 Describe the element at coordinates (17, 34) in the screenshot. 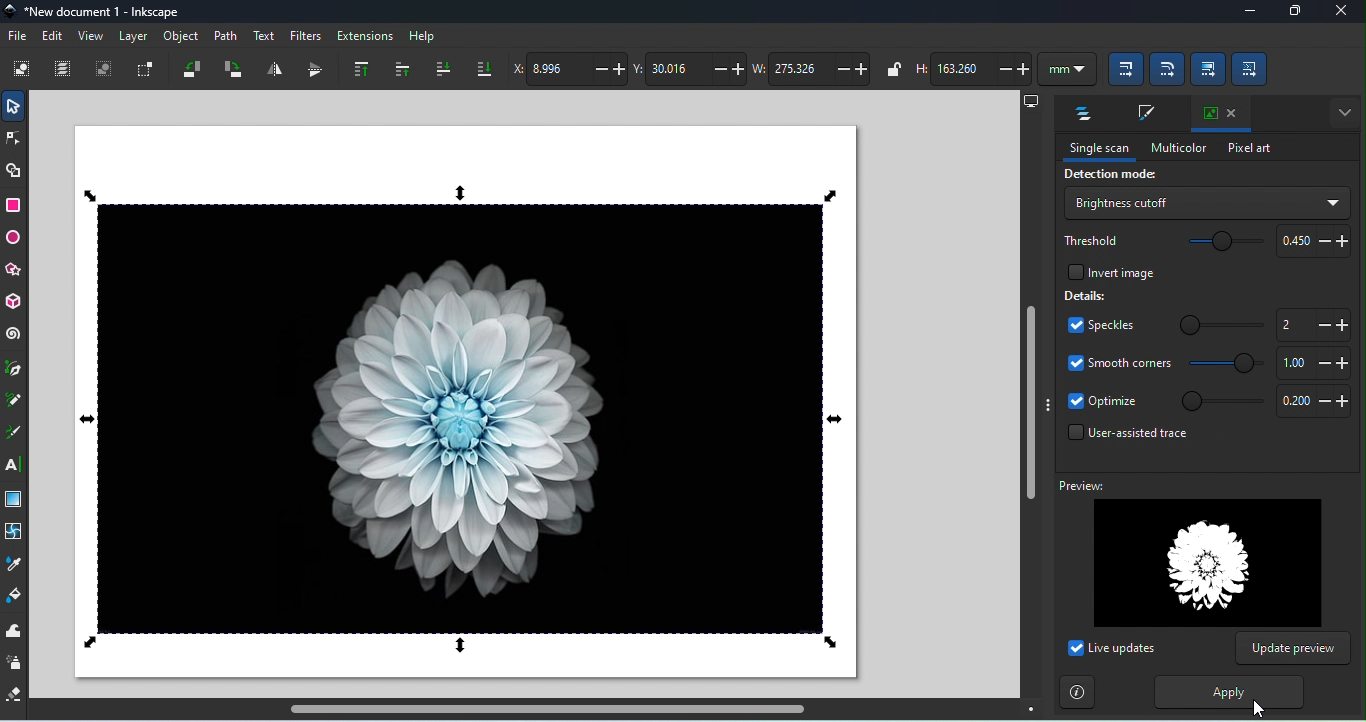

I see `File` at that location.